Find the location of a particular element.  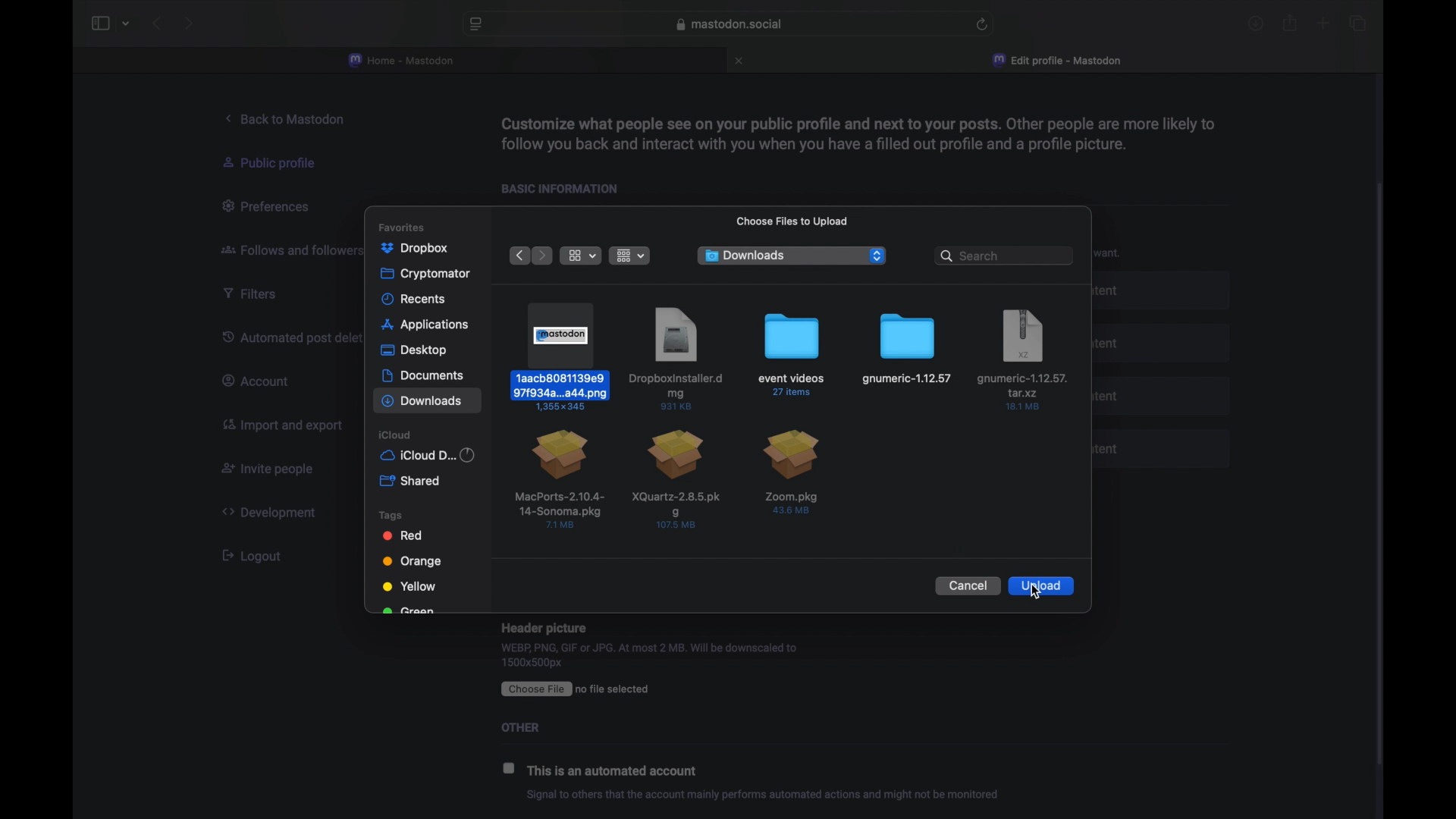

Header picture is located at coordinates (544, 626).